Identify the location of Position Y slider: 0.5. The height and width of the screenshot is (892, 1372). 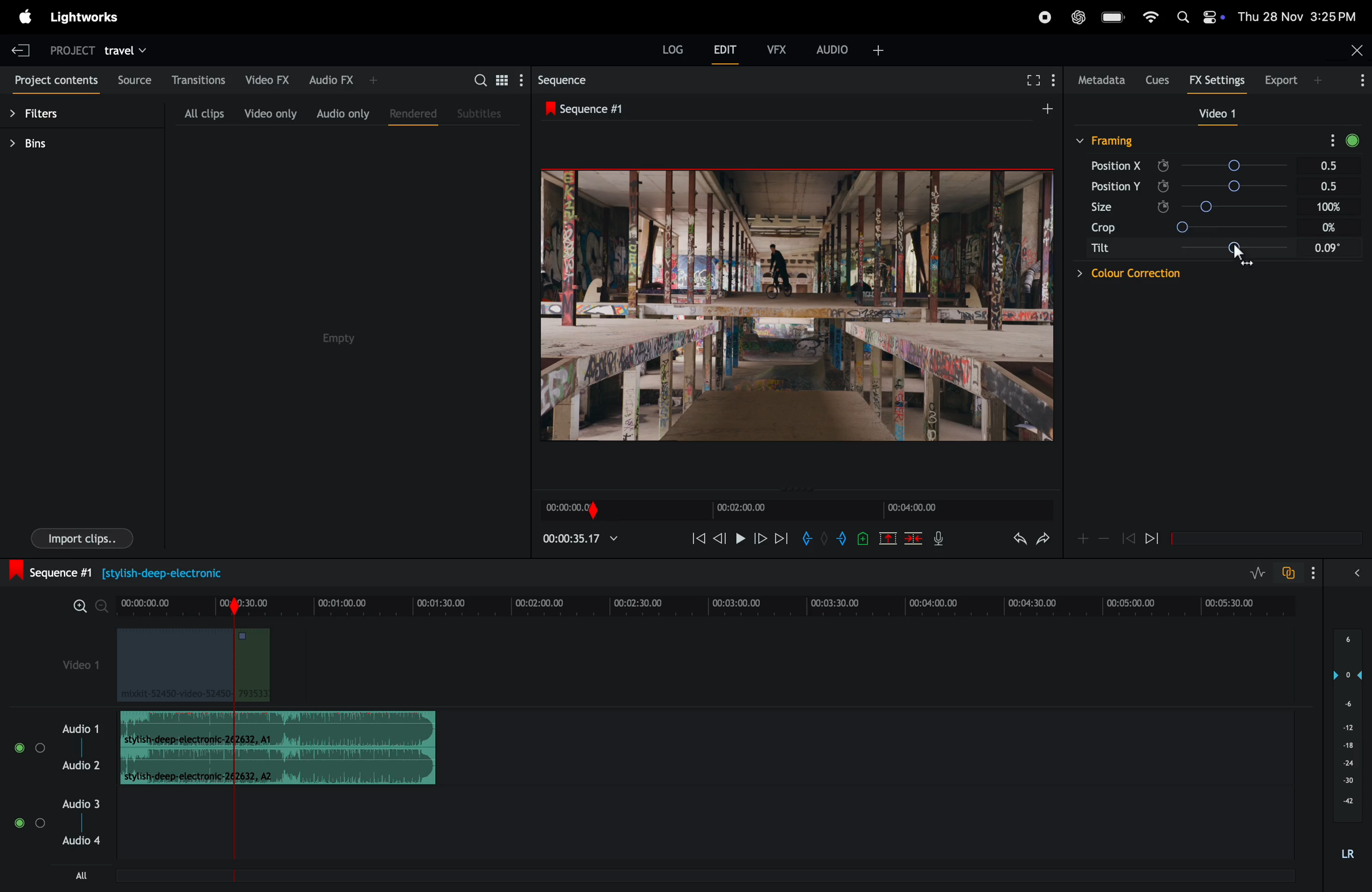
(1265, 185).